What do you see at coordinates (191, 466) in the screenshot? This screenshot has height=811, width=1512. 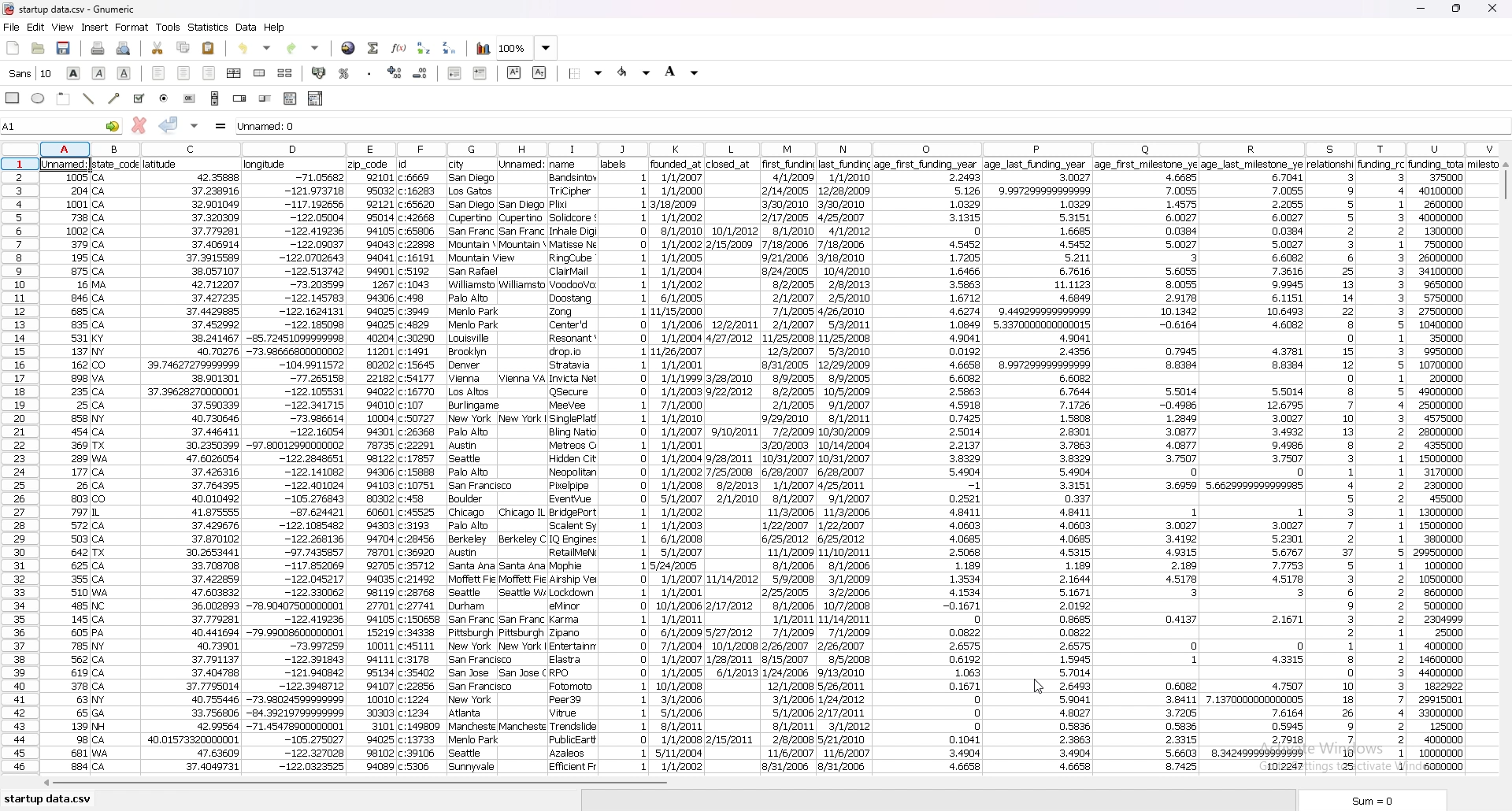 I see `data` at bounding box center [191, 466].